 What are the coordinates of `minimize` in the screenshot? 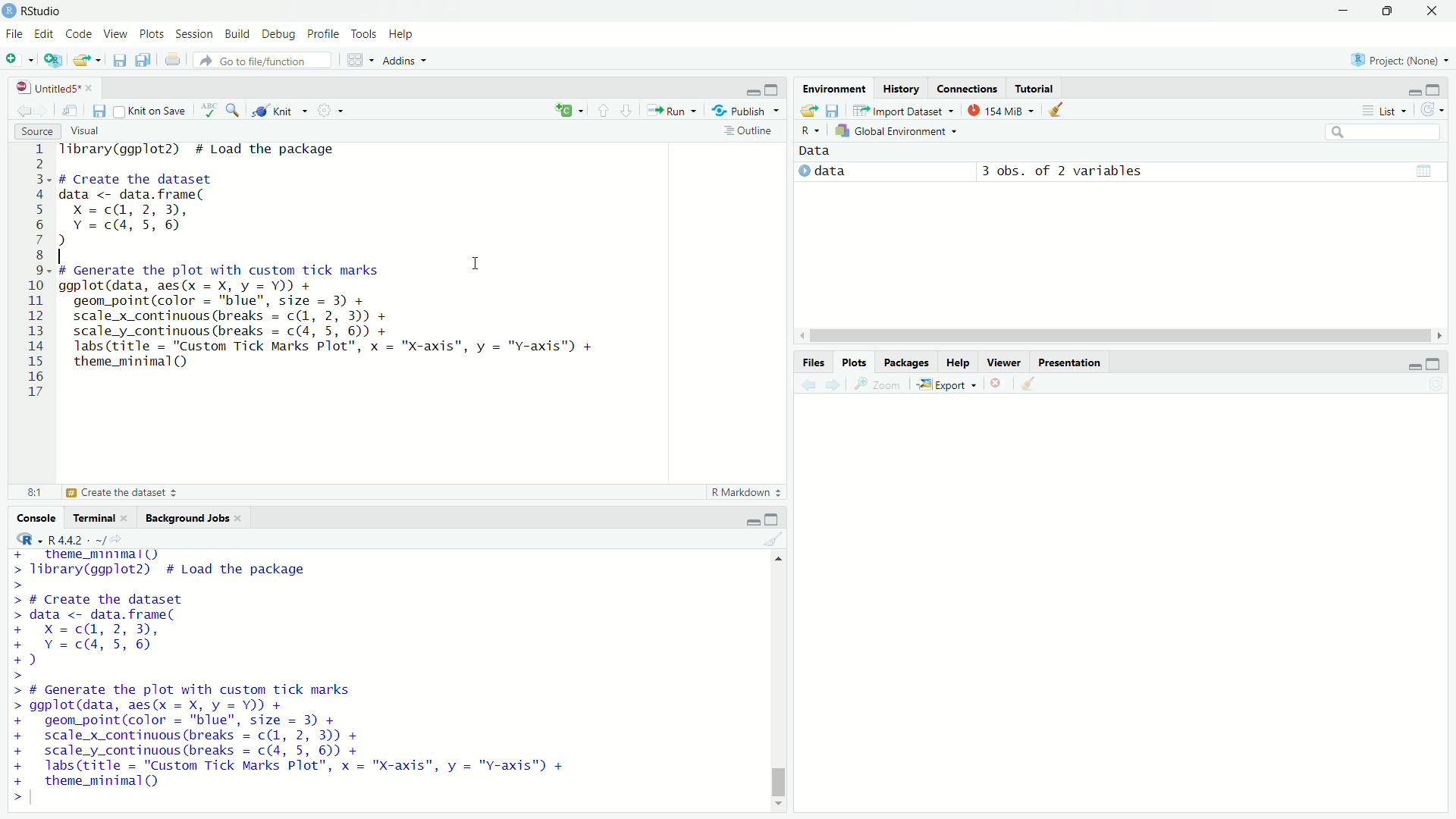 It's located at (751, 92).